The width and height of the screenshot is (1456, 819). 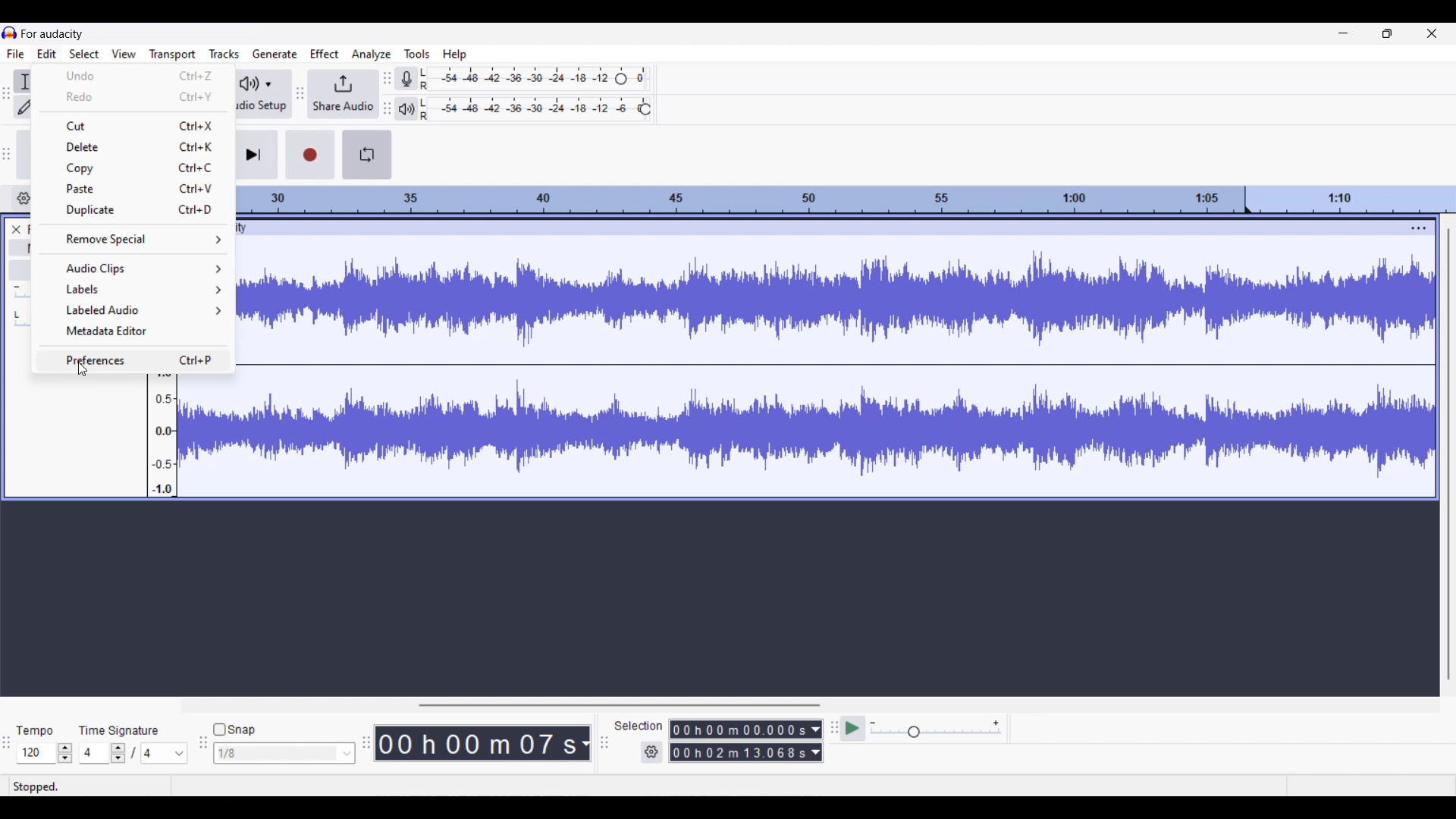 What do you see at coordinates (529, 109) in the screenshot?
I see `Playback level` at bounding box center [529, 109].